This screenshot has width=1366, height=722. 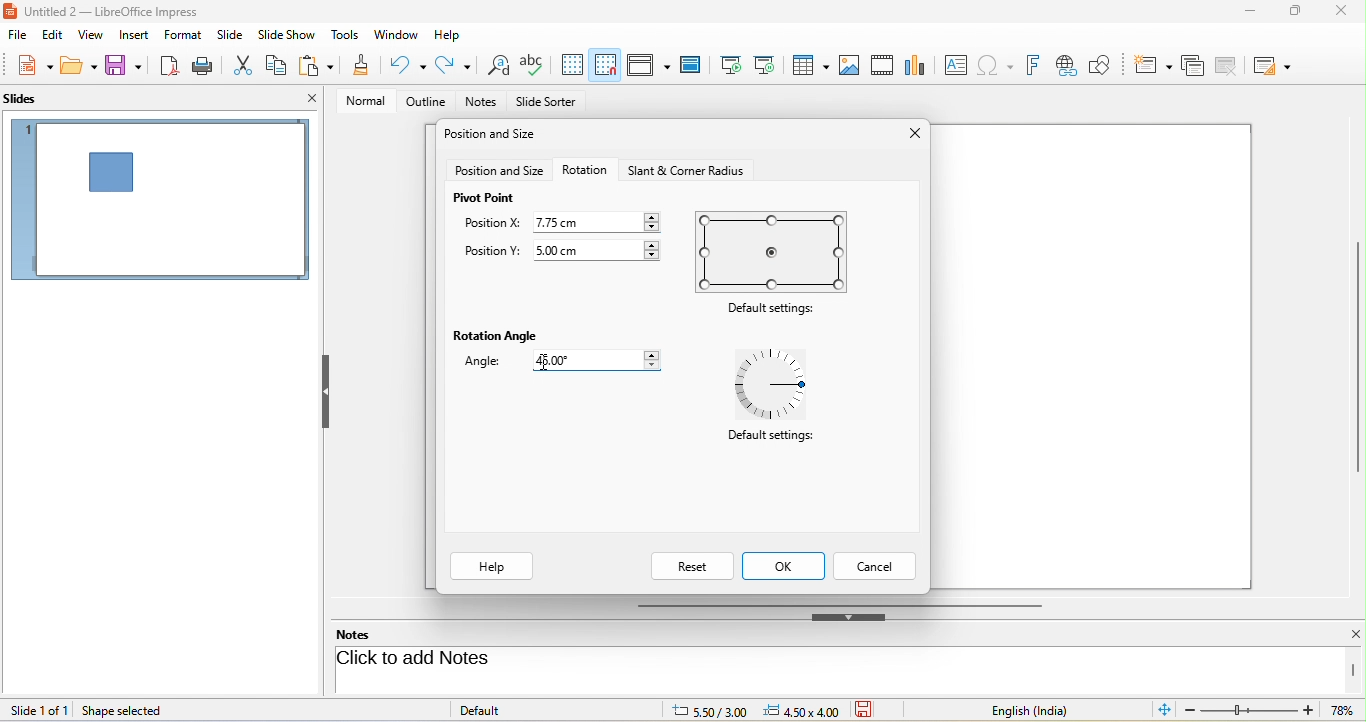 What do you see at coordinates (1036, 63) in the screenshot?
I see `font work text` at bounding box center [1036, 63].